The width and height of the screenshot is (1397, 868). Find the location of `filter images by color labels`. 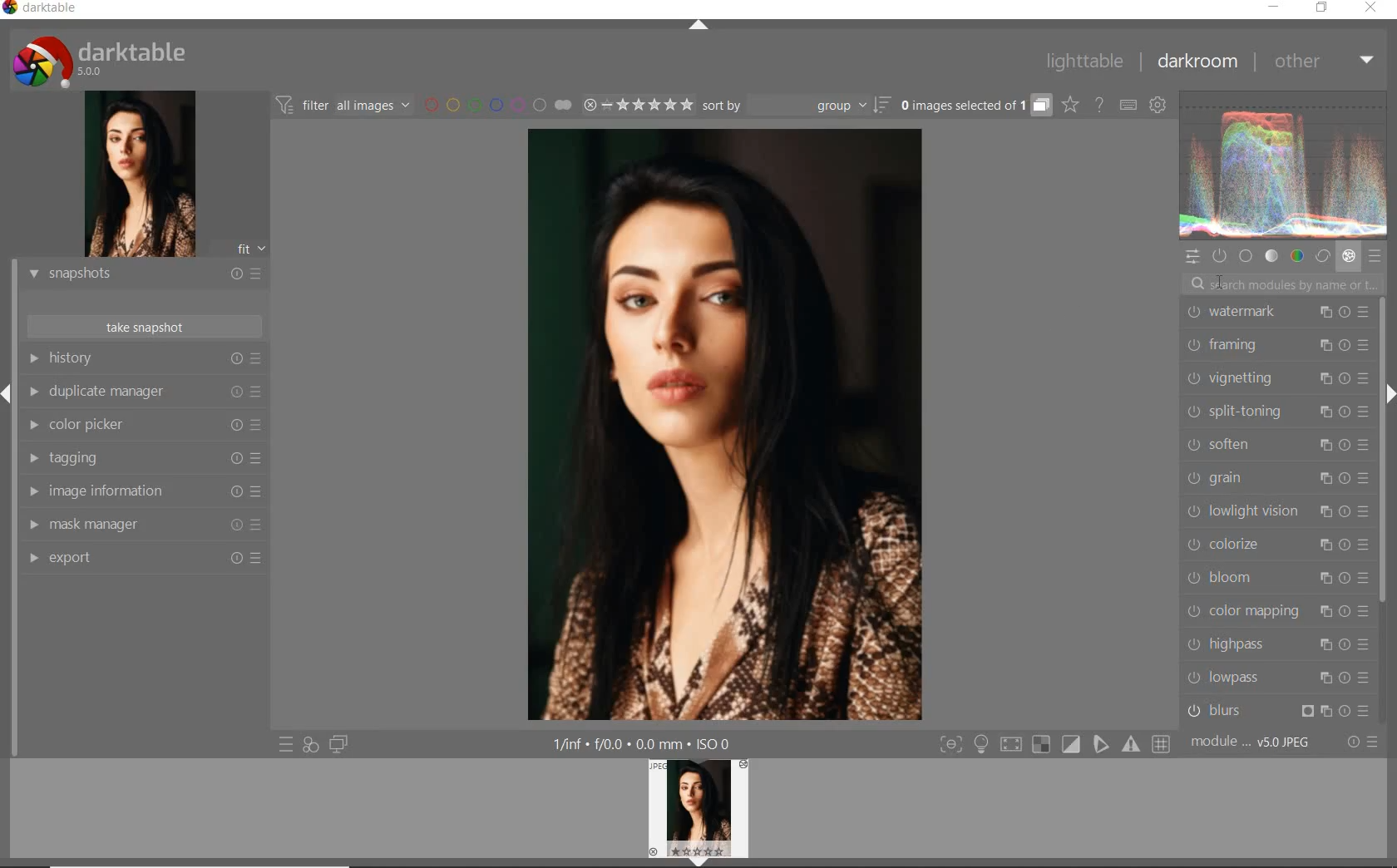

filter images by color labels is located at coordinates (482, 106).